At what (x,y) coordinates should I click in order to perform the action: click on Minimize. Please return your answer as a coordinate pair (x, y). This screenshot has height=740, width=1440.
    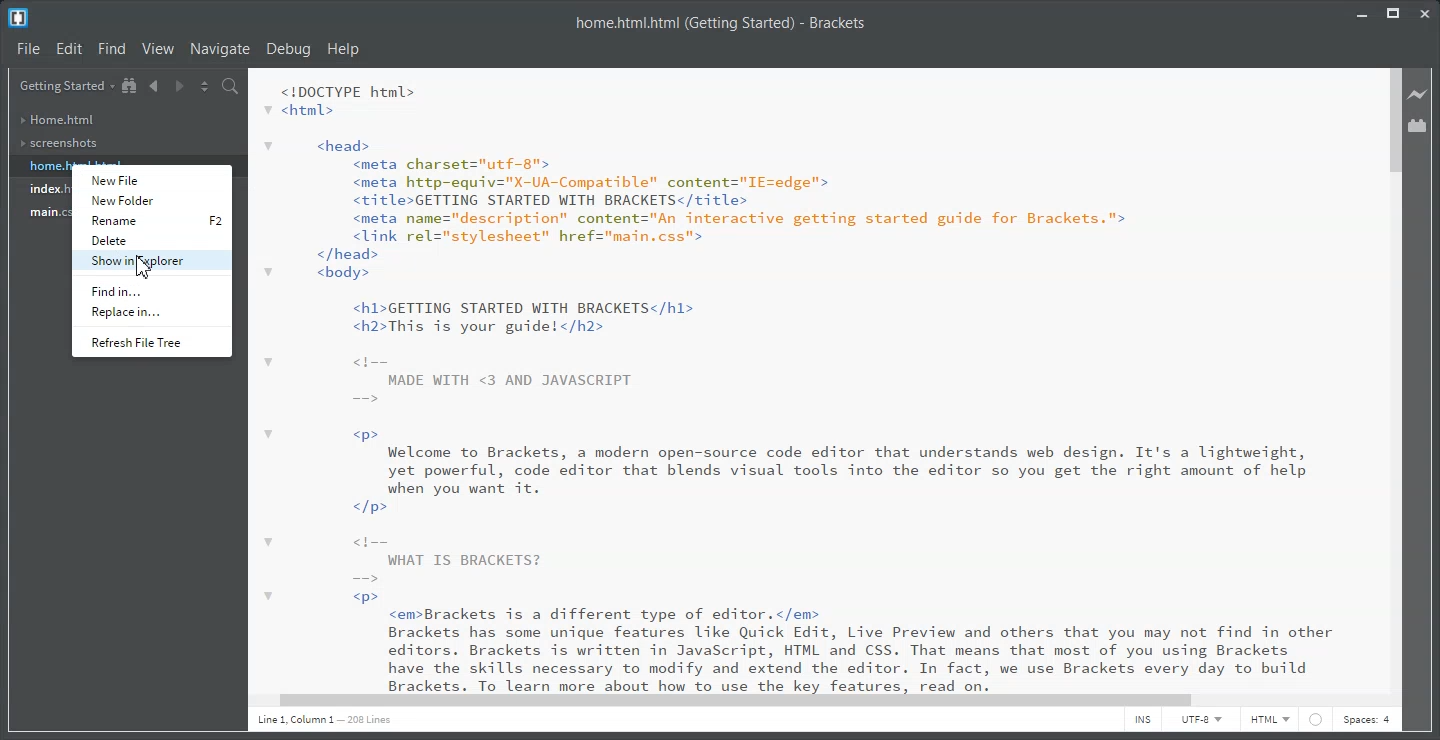
    Looking at the image, I should click on (1362, 11).